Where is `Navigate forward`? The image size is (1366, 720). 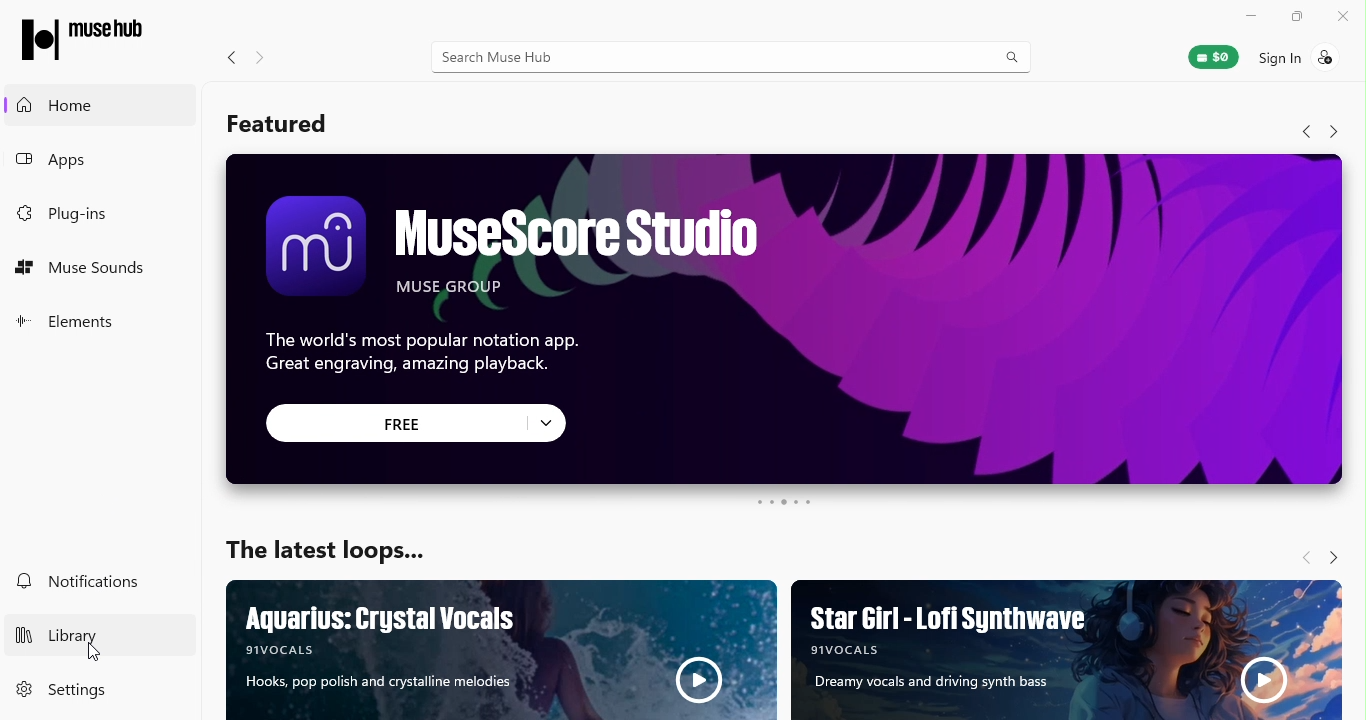 Navigate forward is located at coordinates (1337, 130).